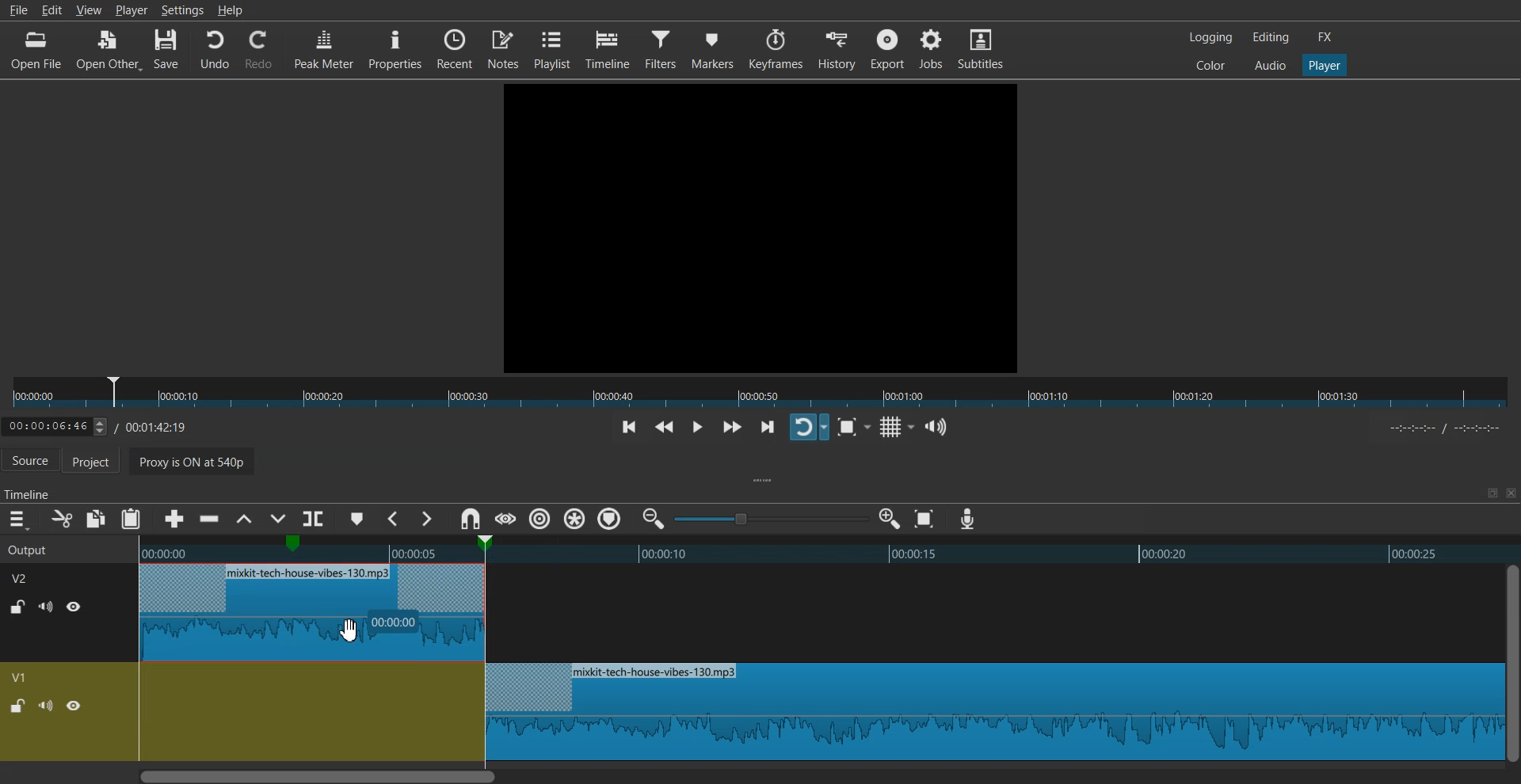 The height and width of the screenshot is (784, 1521). I want to click on File Preview window, so click(764, 226).